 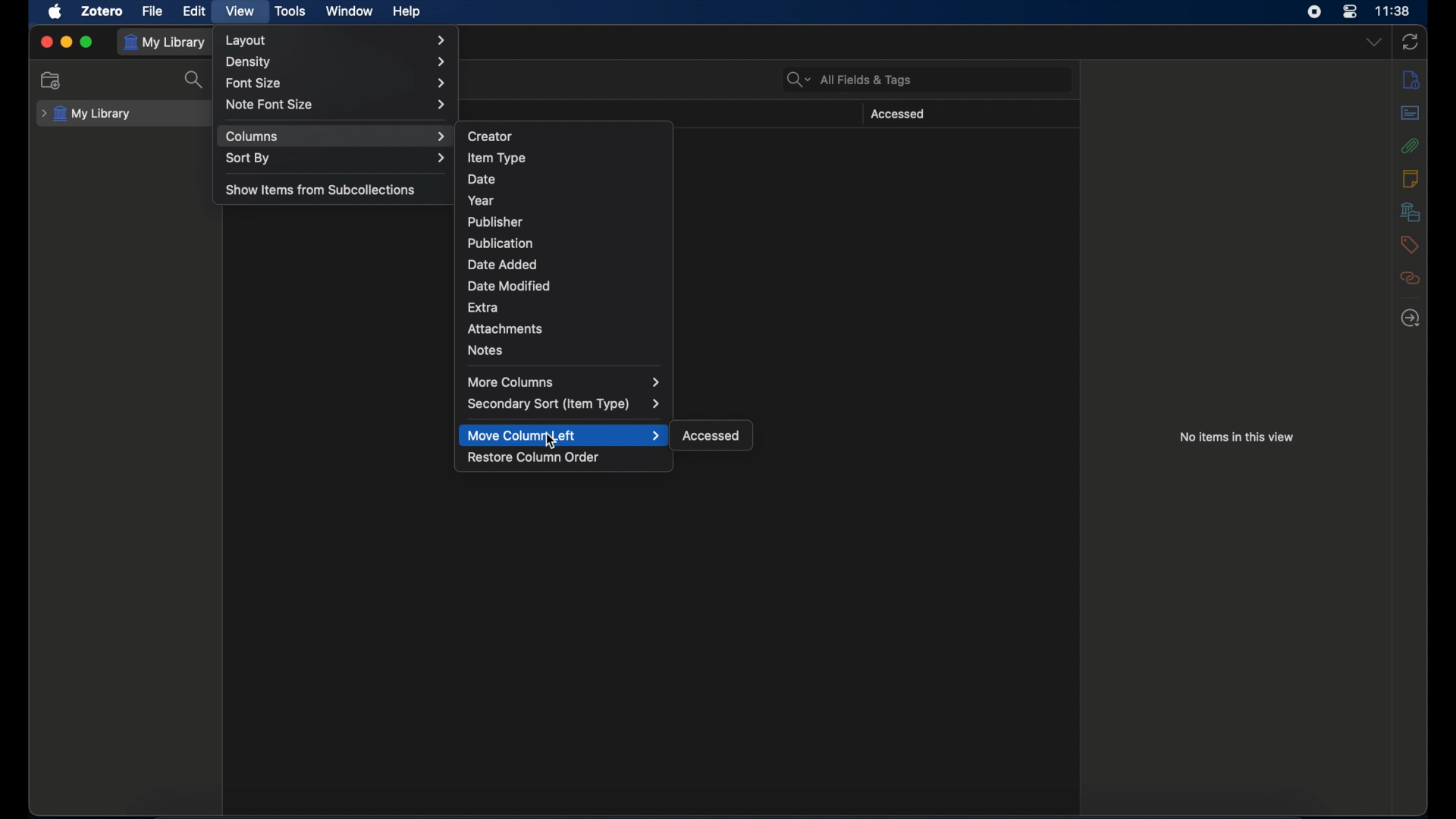 I want to click on sort by, so click(x=336, y=158).